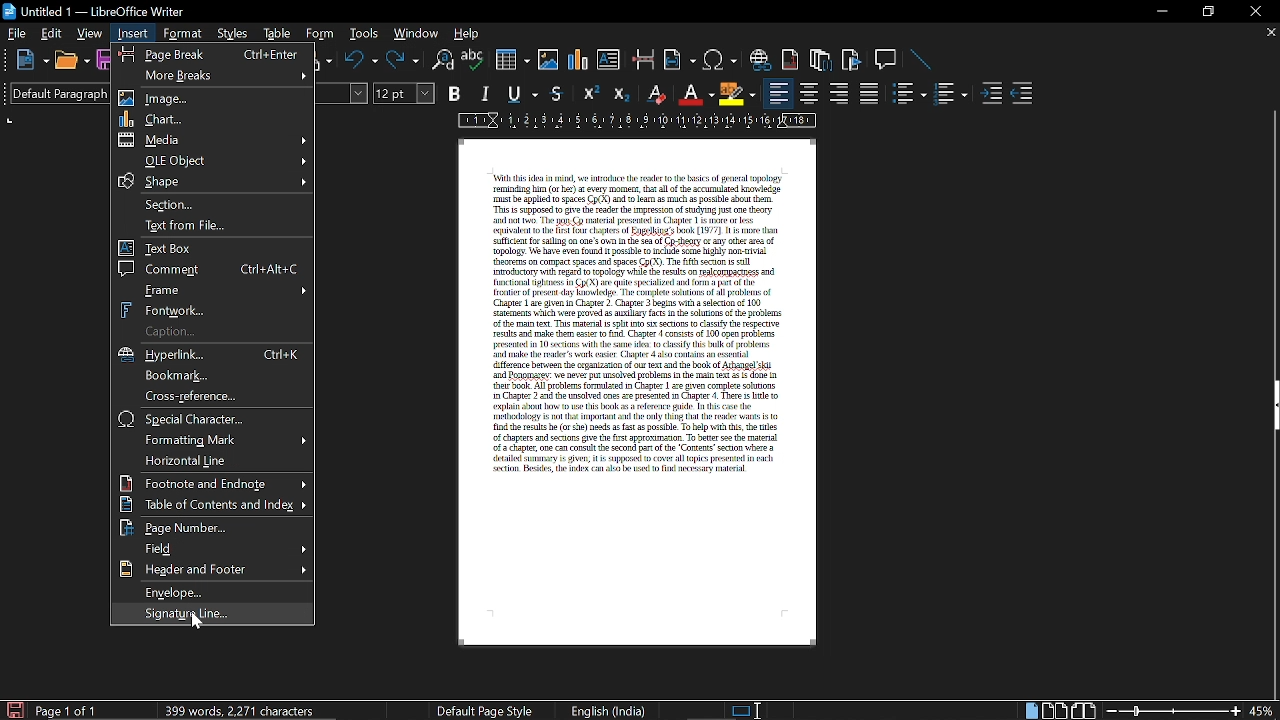 The image size is (1280, 720). I want to click on minimize, so click(1158, 10).